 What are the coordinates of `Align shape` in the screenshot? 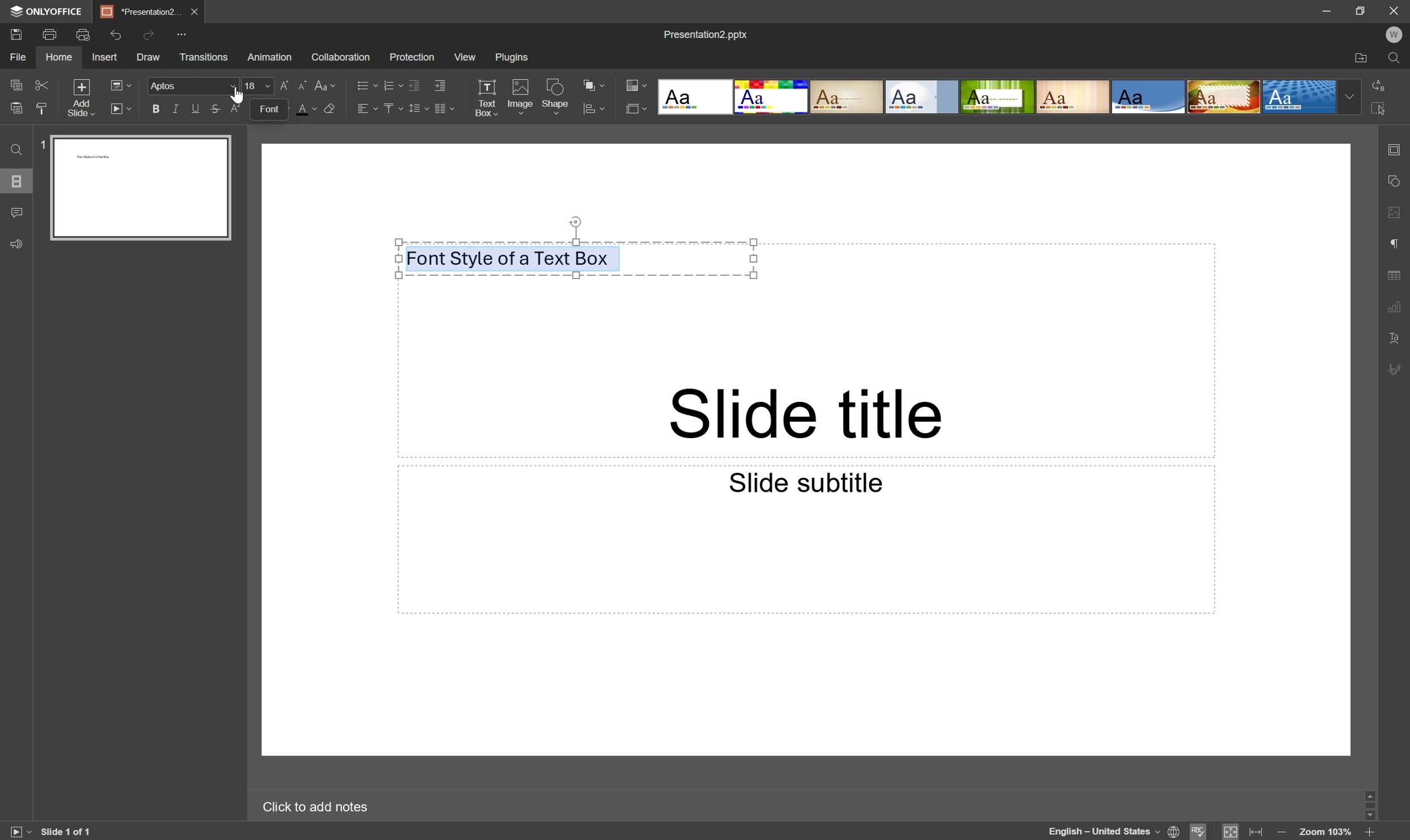 It's located at (599, 108).